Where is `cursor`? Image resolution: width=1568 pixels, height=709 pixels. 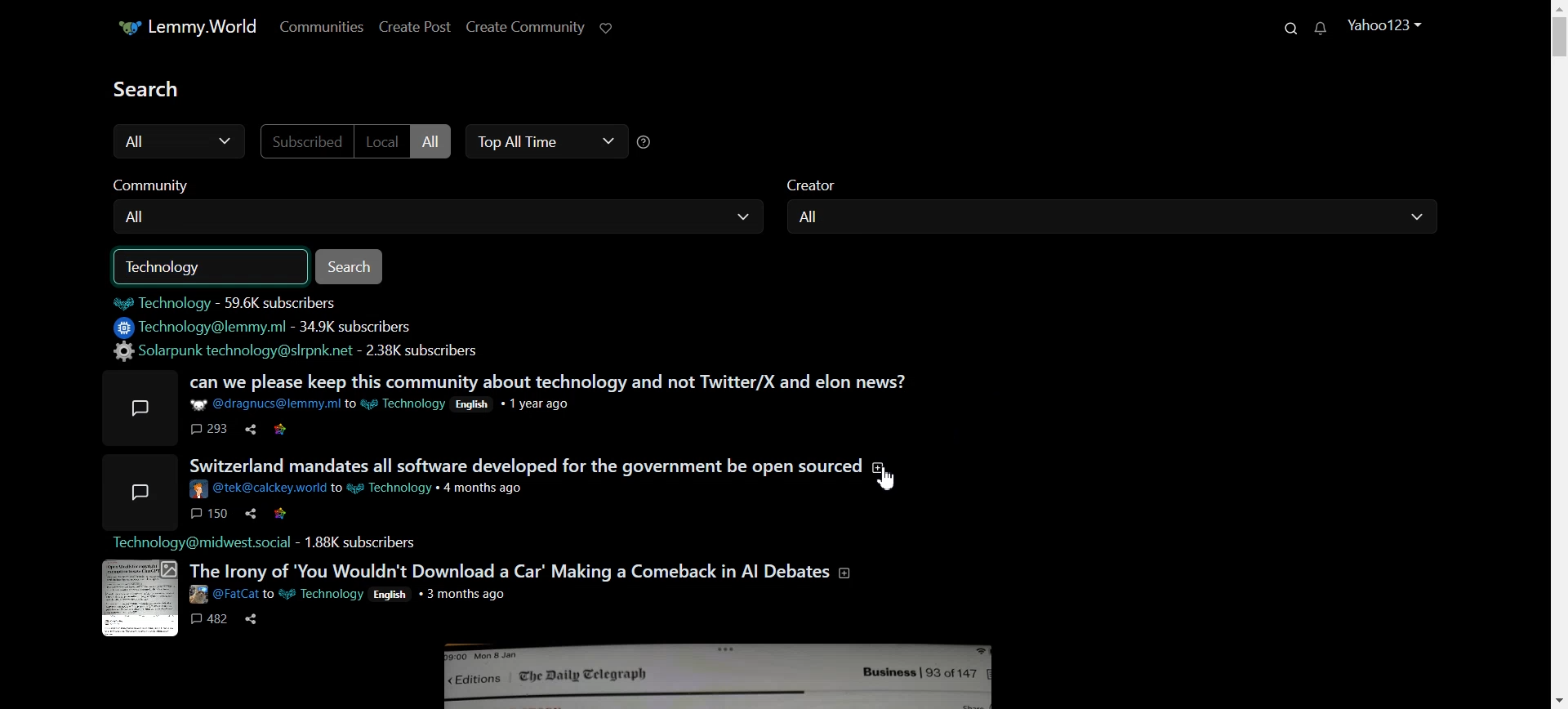 cursor is located at coordinates (886, 480).